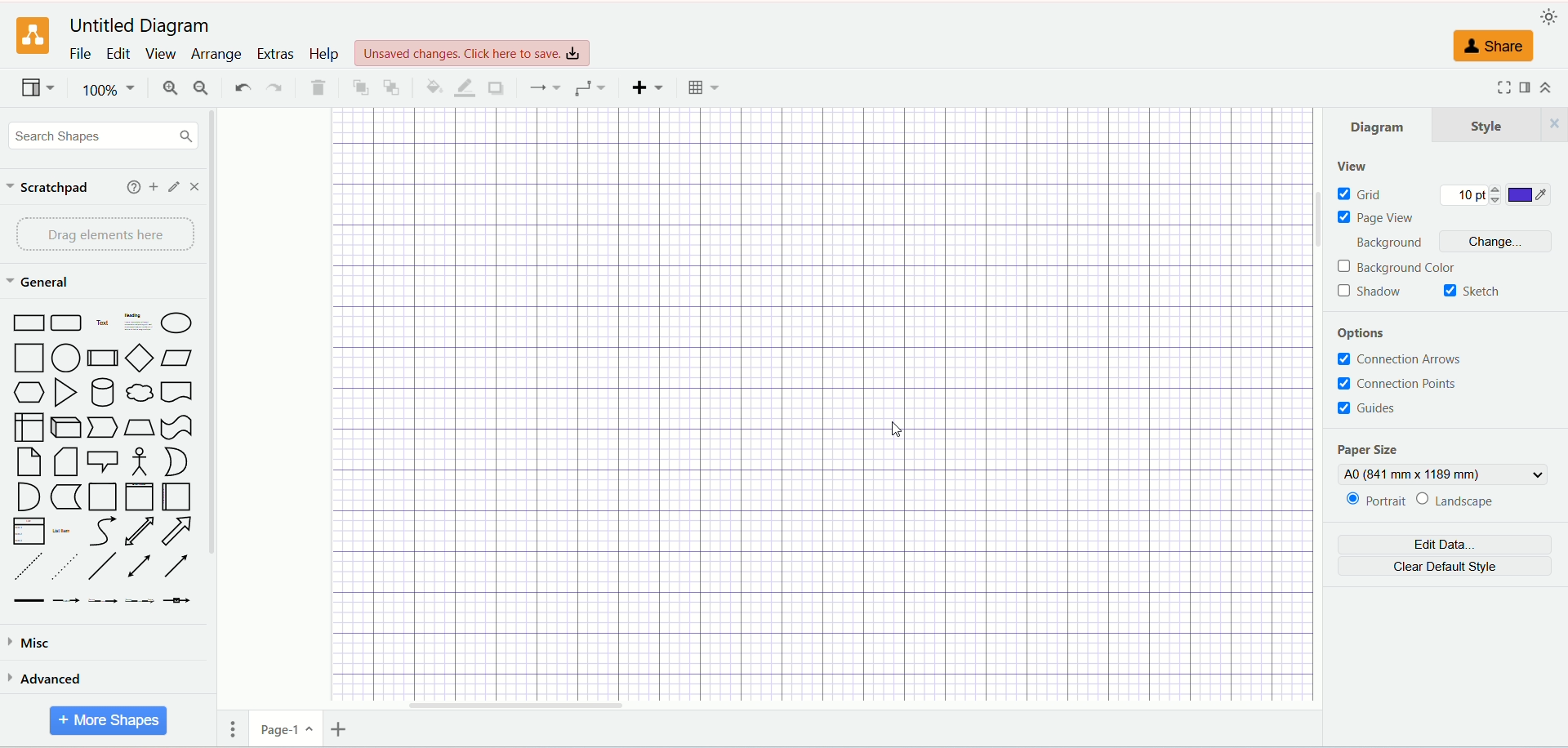 This screenshot has width=1568, height=748. I want to click on file, so click(79, 54).